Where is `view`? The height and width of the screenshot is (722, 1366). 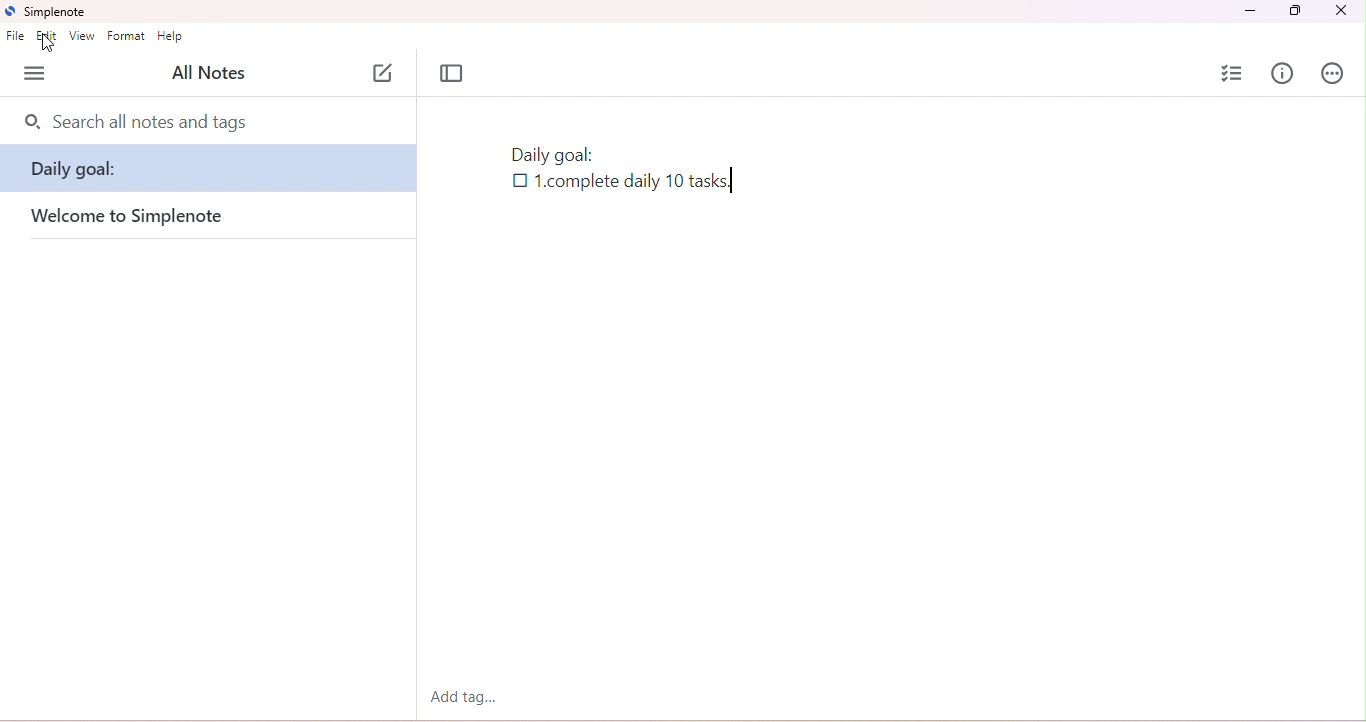
view is located at coordinates (82, 36).